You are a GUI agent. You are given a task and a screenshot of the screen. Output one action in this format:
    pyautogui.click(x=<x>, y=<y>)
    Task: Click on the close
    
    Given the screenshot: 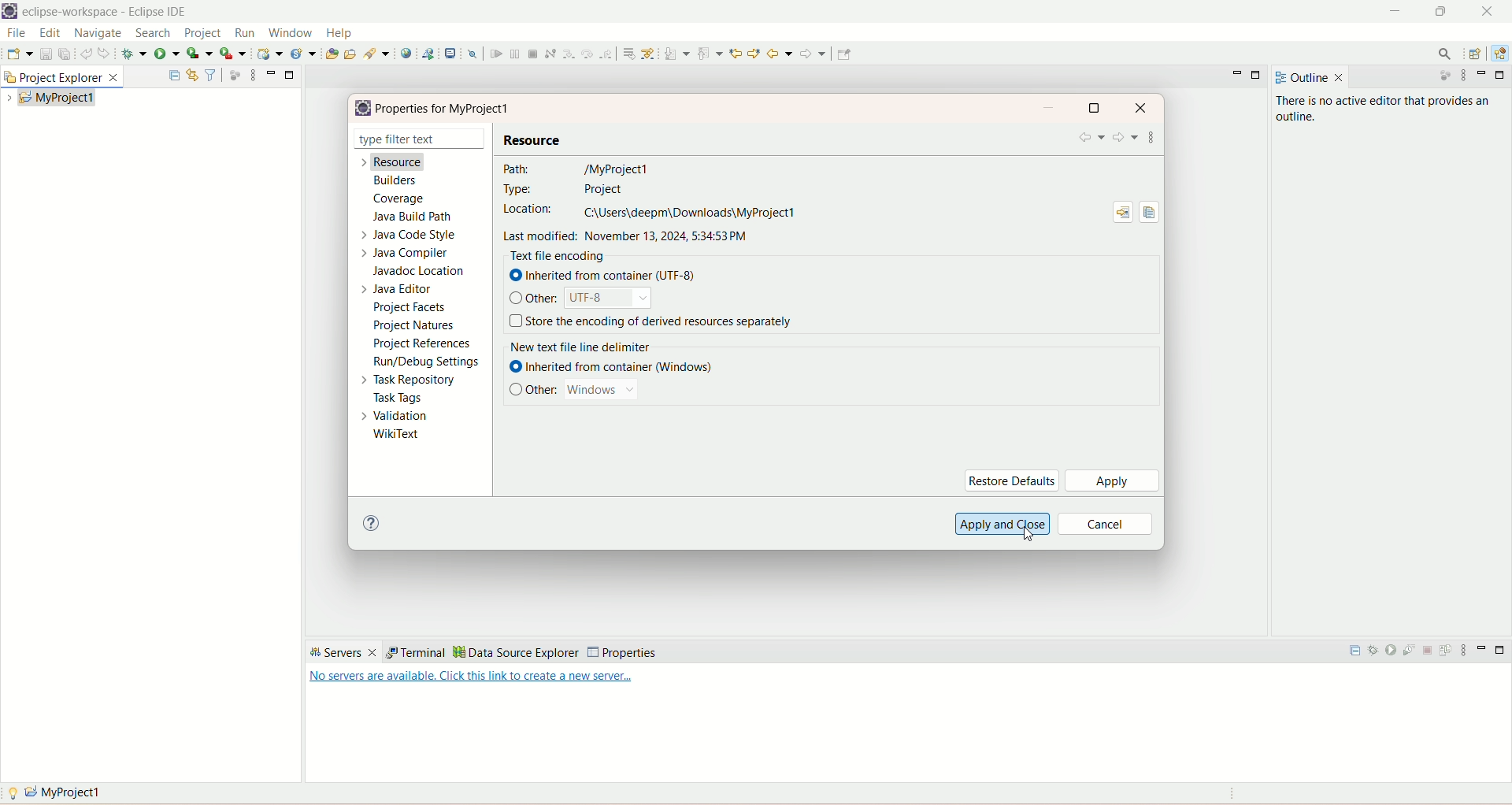 What is the action you would take?
    pyautogui.click(x=1142, y=106)
    